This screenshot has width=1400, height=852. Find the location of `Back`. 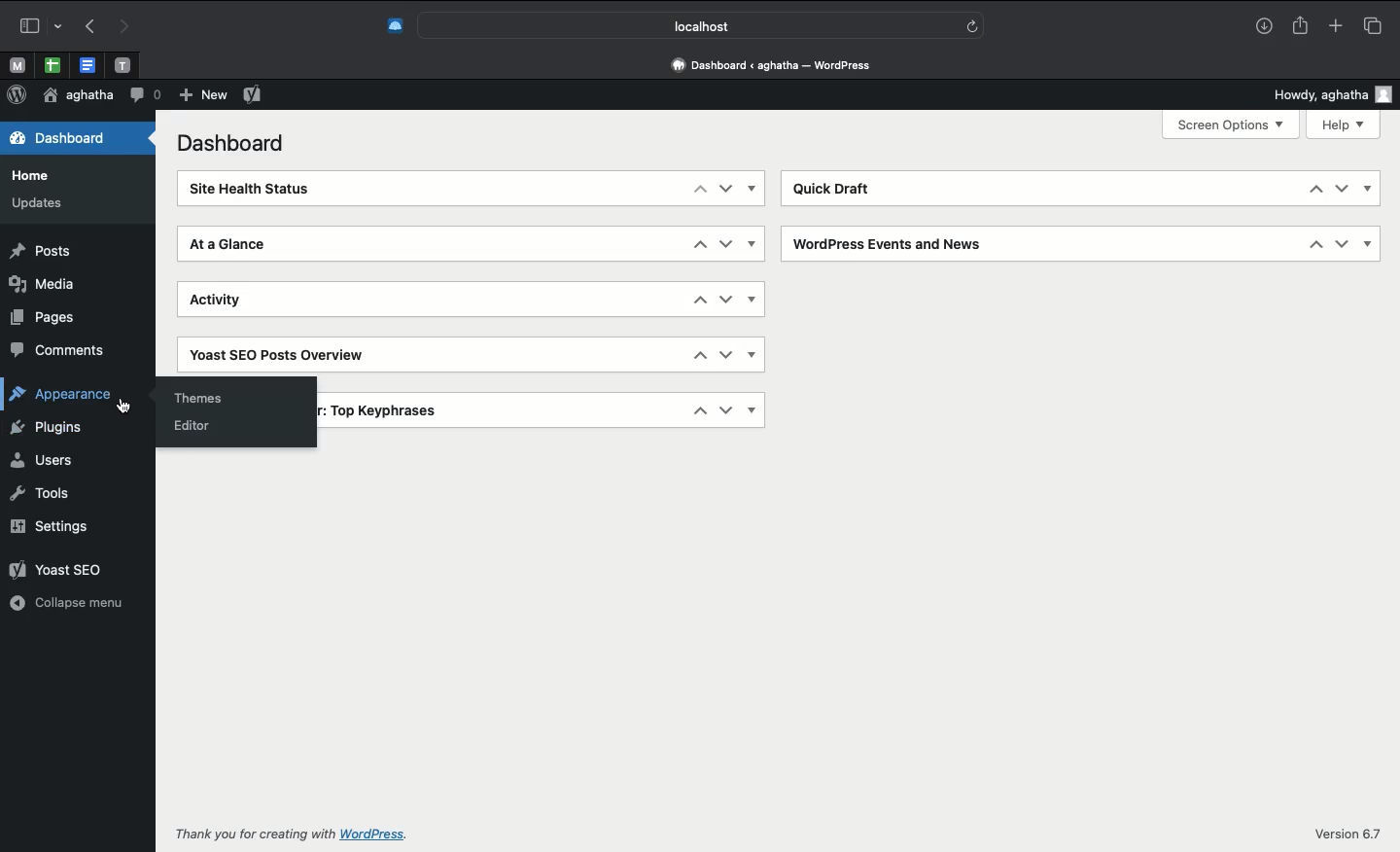

Back is located at coordinates (89, 27).